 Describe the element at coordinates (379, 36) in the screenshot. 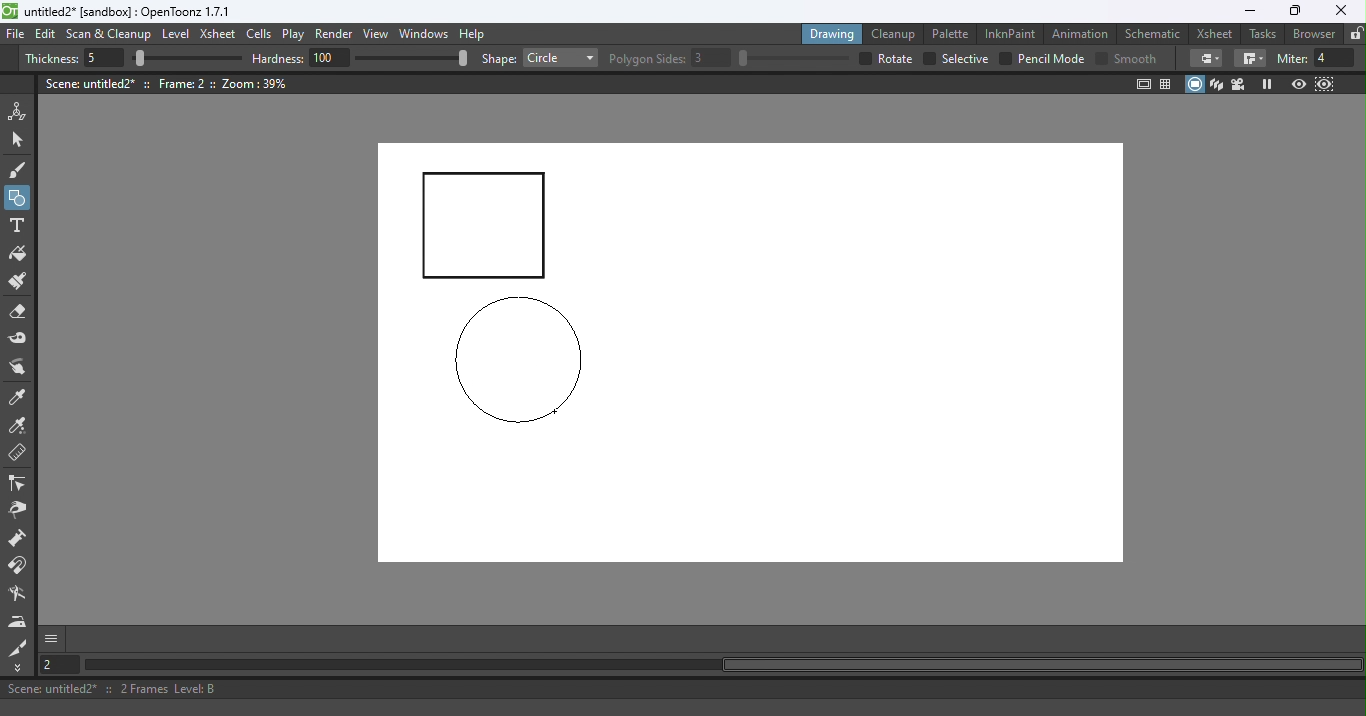

I see `View` at that location.